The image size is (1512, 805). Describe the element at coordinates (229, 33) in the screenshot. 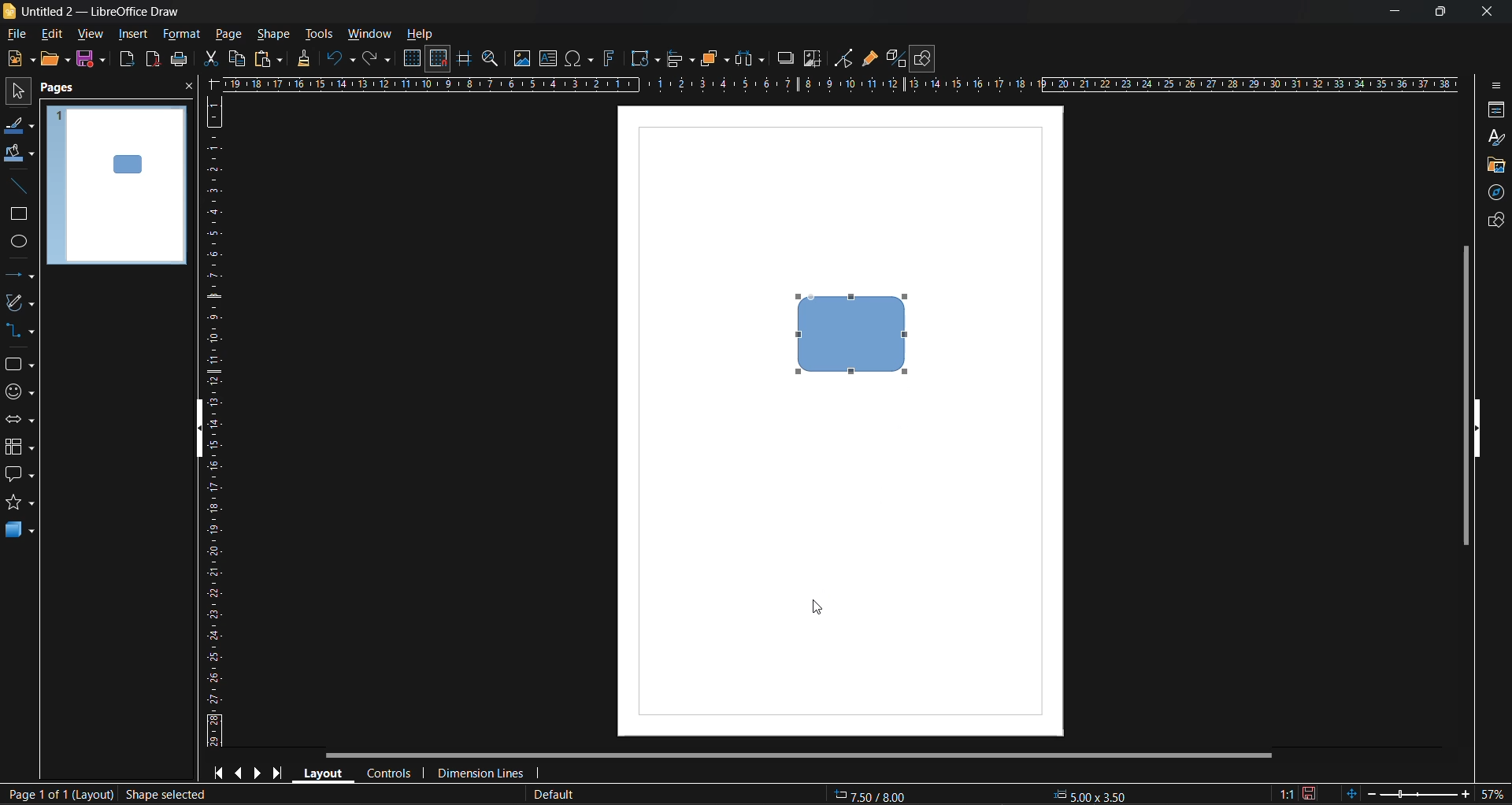

I see `page` at that location.